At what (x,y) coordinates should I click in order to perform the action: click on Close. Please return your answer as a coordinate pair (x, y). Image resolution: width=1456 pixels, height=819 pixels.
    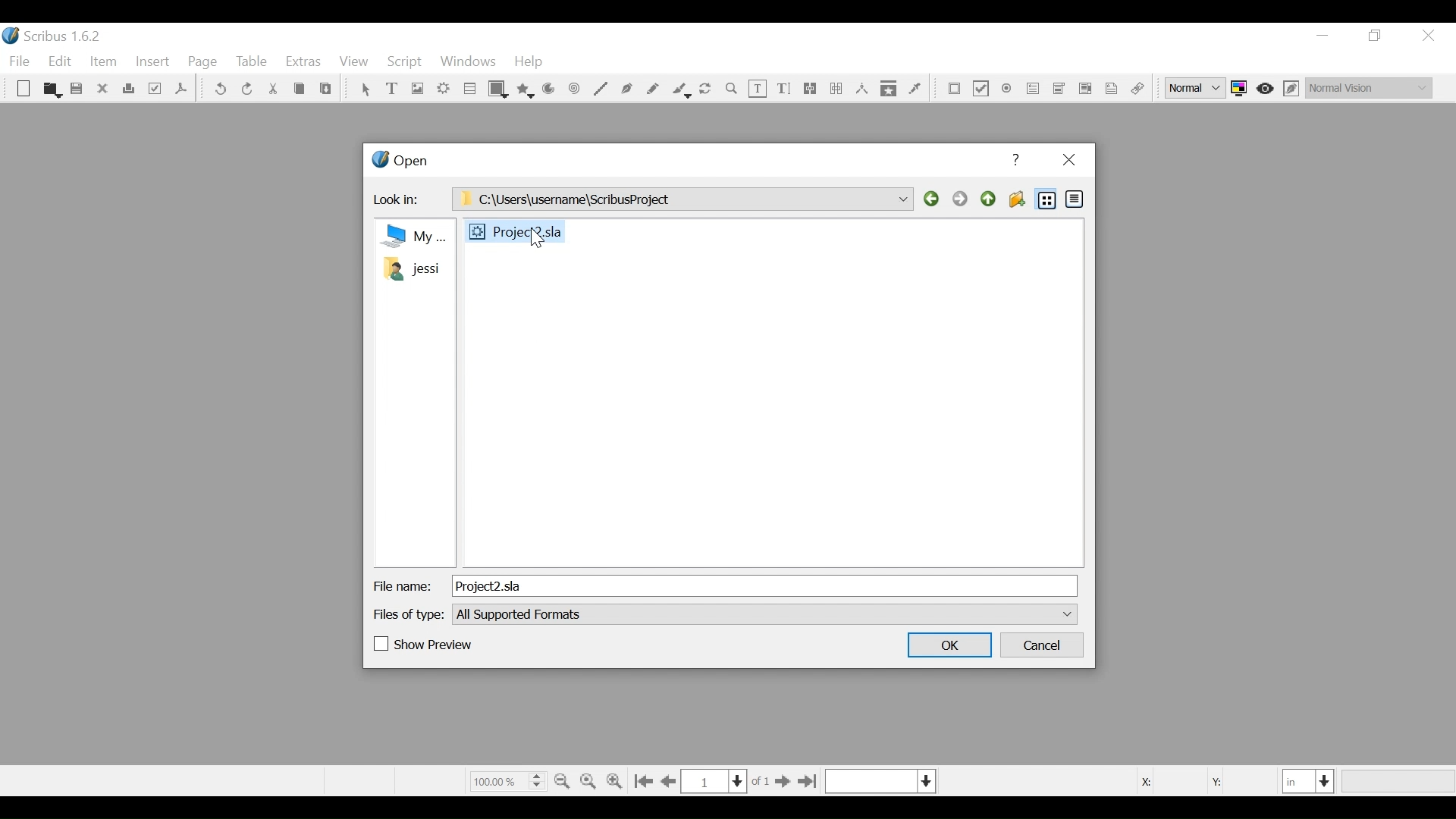
    Looking at the image, I should click on (1068, 161).